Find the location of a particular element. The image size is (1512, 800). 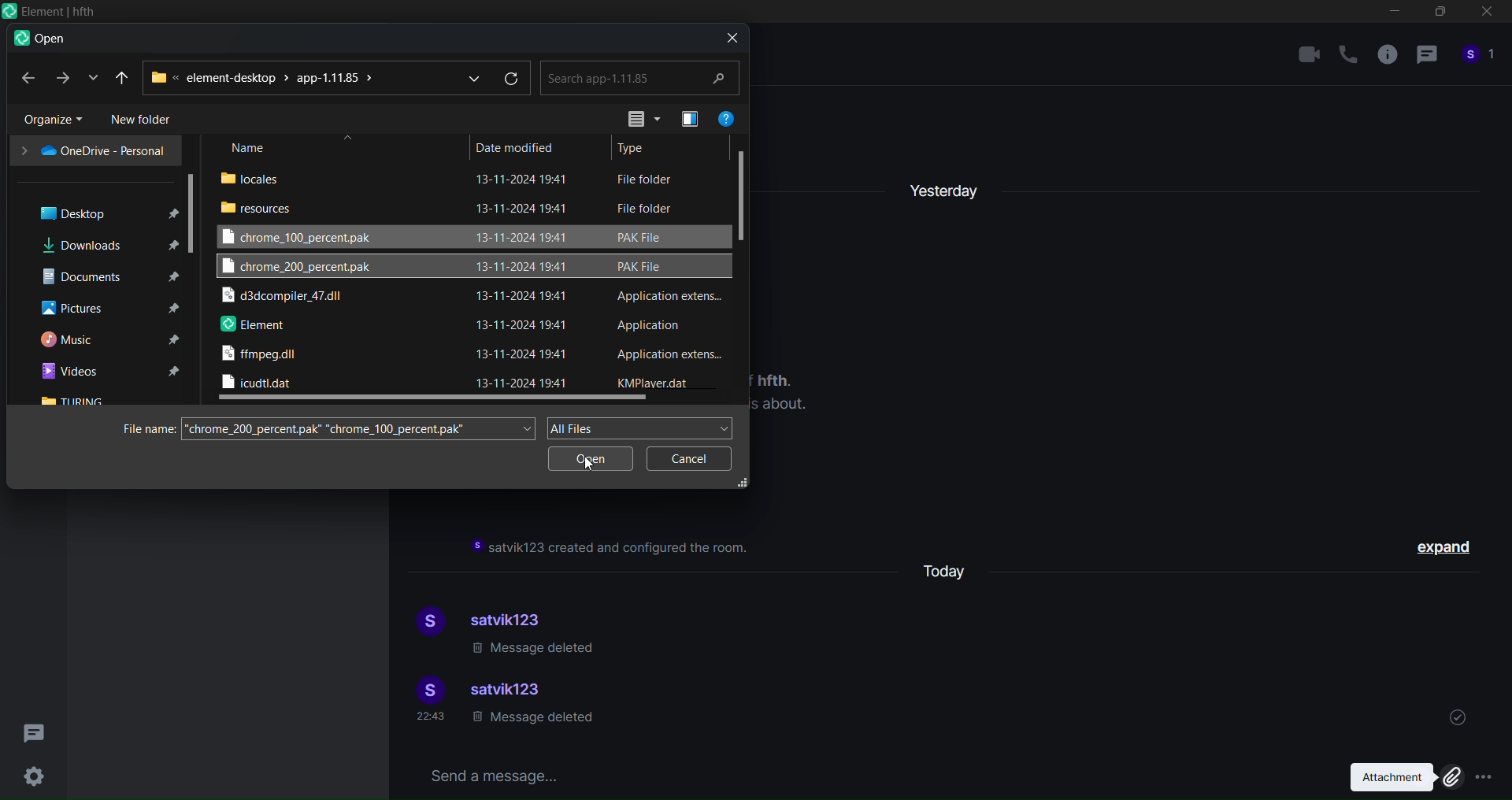

help is located at coordinates (727, 116).